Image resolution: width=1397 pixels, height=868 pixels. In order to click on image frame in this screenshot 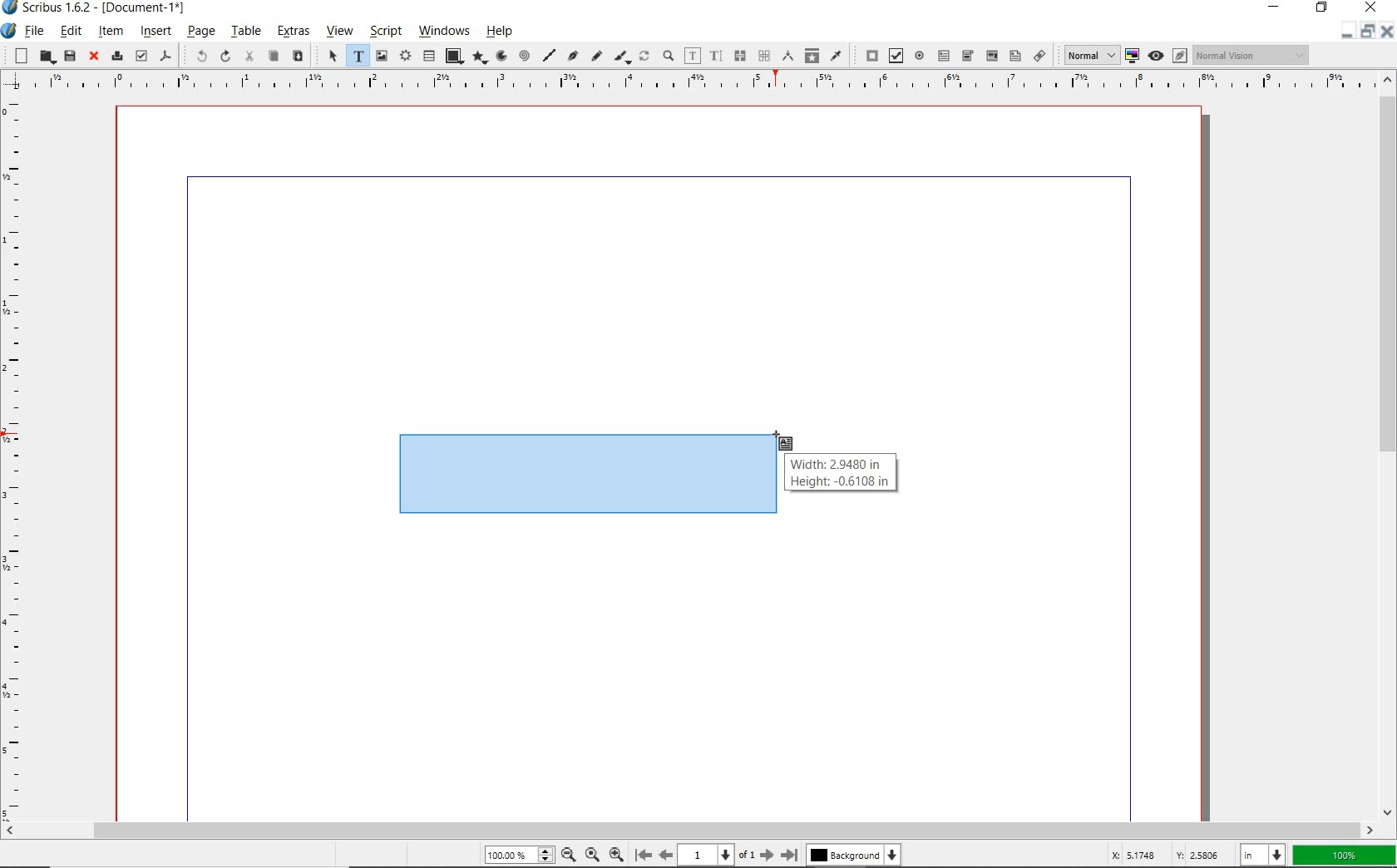, I will do `click(383, 56)`.